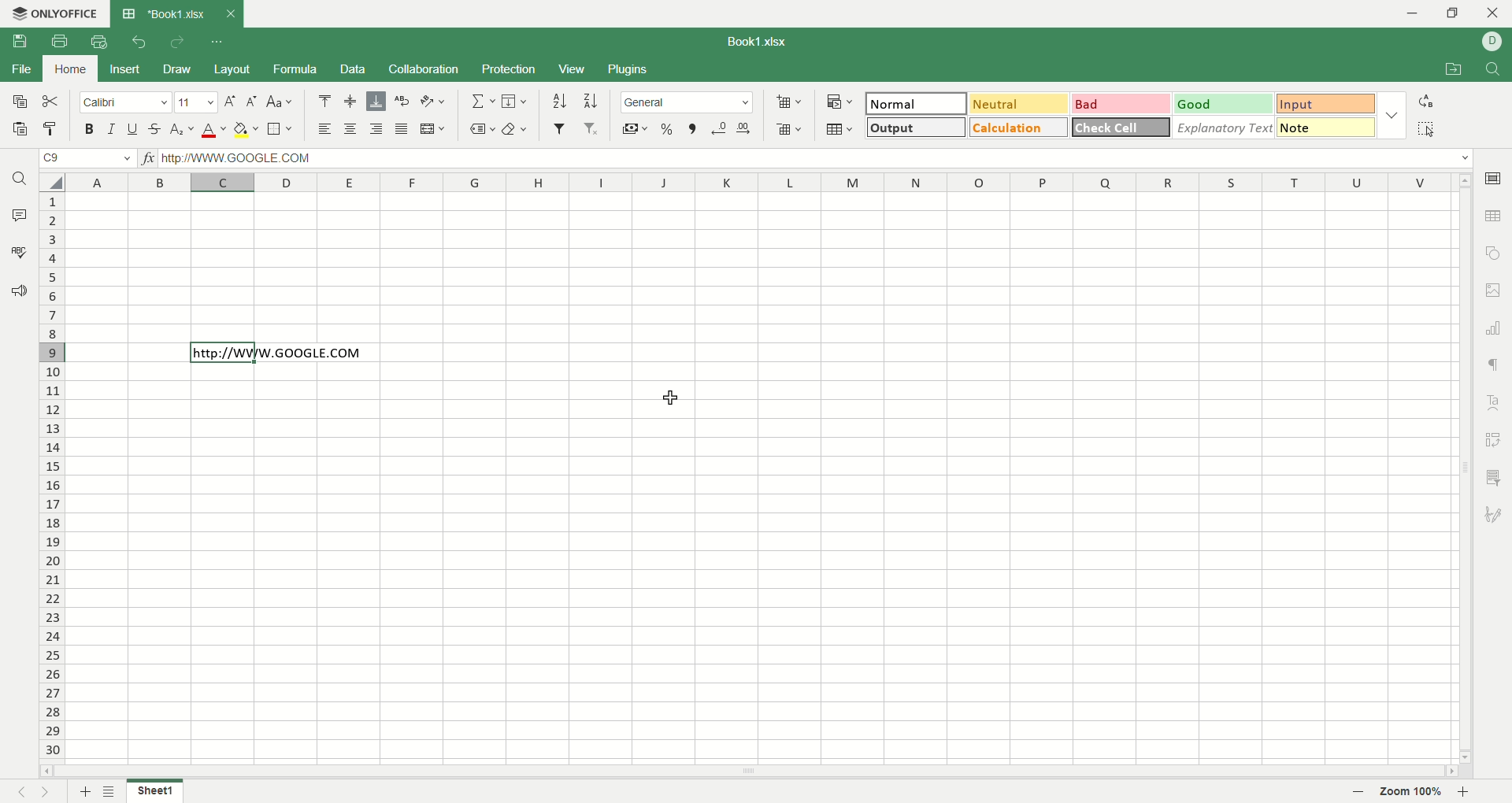 This screenshot has height=803, width=1512. What do you see at coordinates (1466, 468) in the screenshot?
I see `vertical scroll bar` at bounding box center [1466, 468].